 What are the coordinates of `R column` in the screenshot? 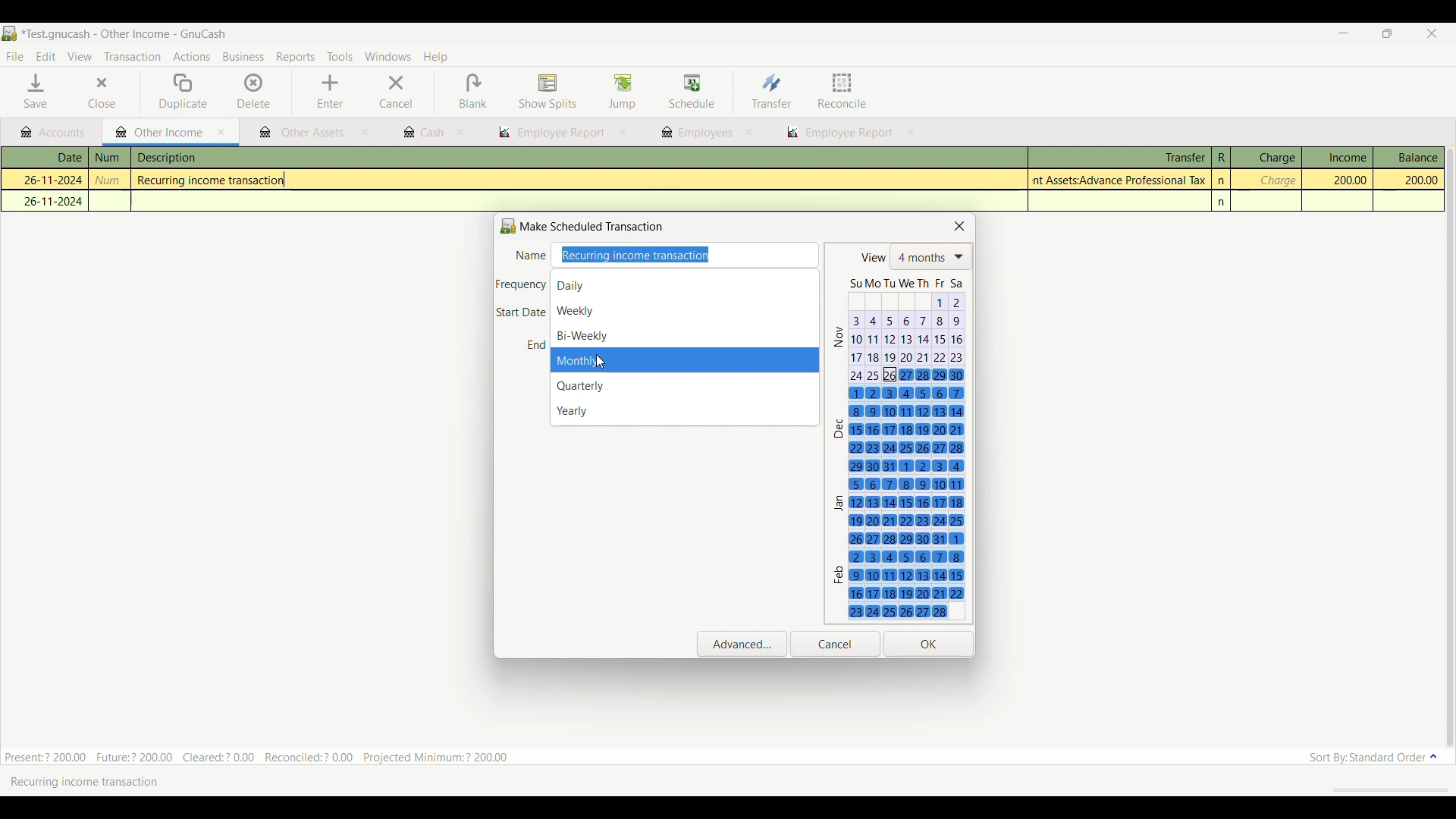 It's located at (1220, 158).